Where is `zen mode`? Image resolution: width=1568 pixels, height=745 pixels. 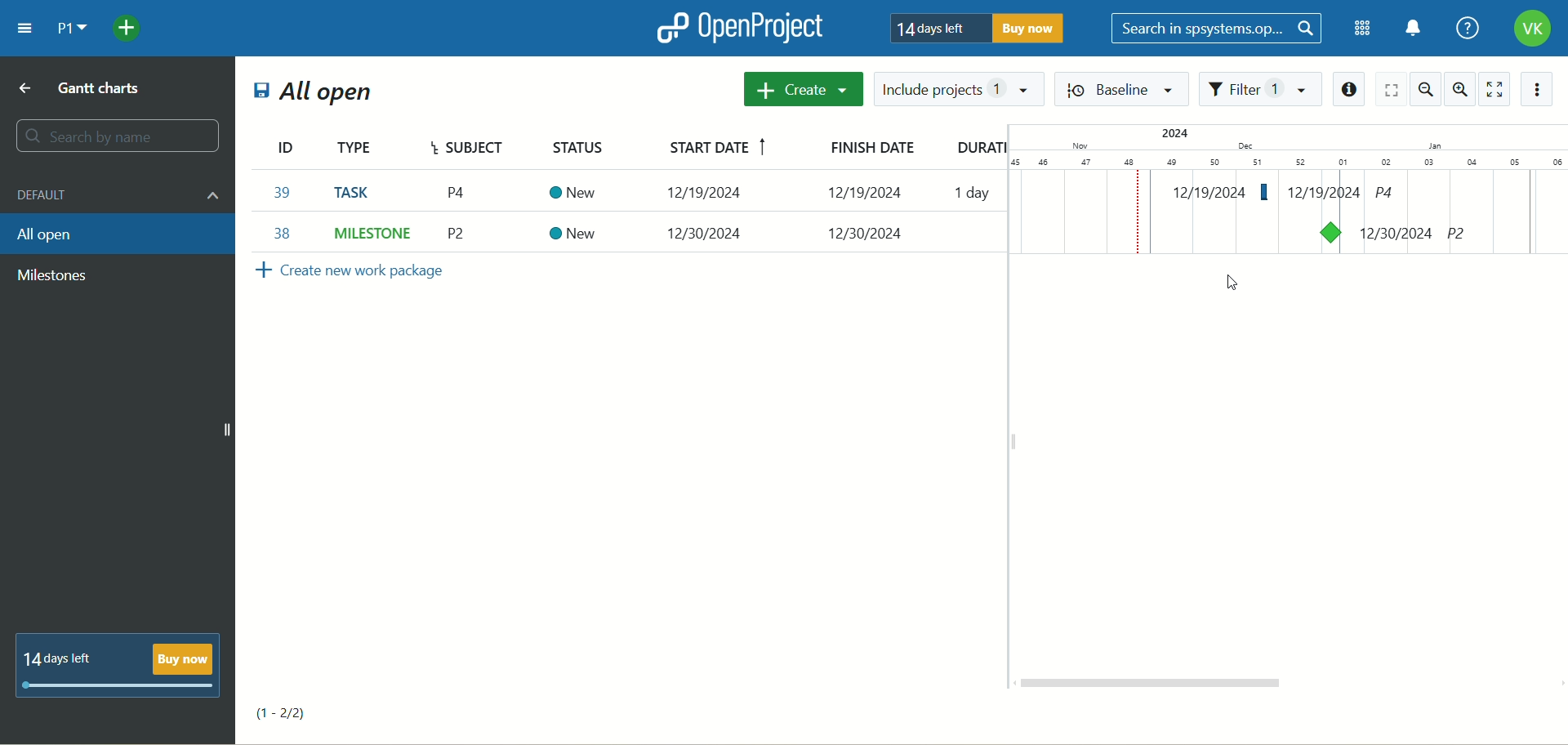
zen mode is located at coordinates (1493, 91).